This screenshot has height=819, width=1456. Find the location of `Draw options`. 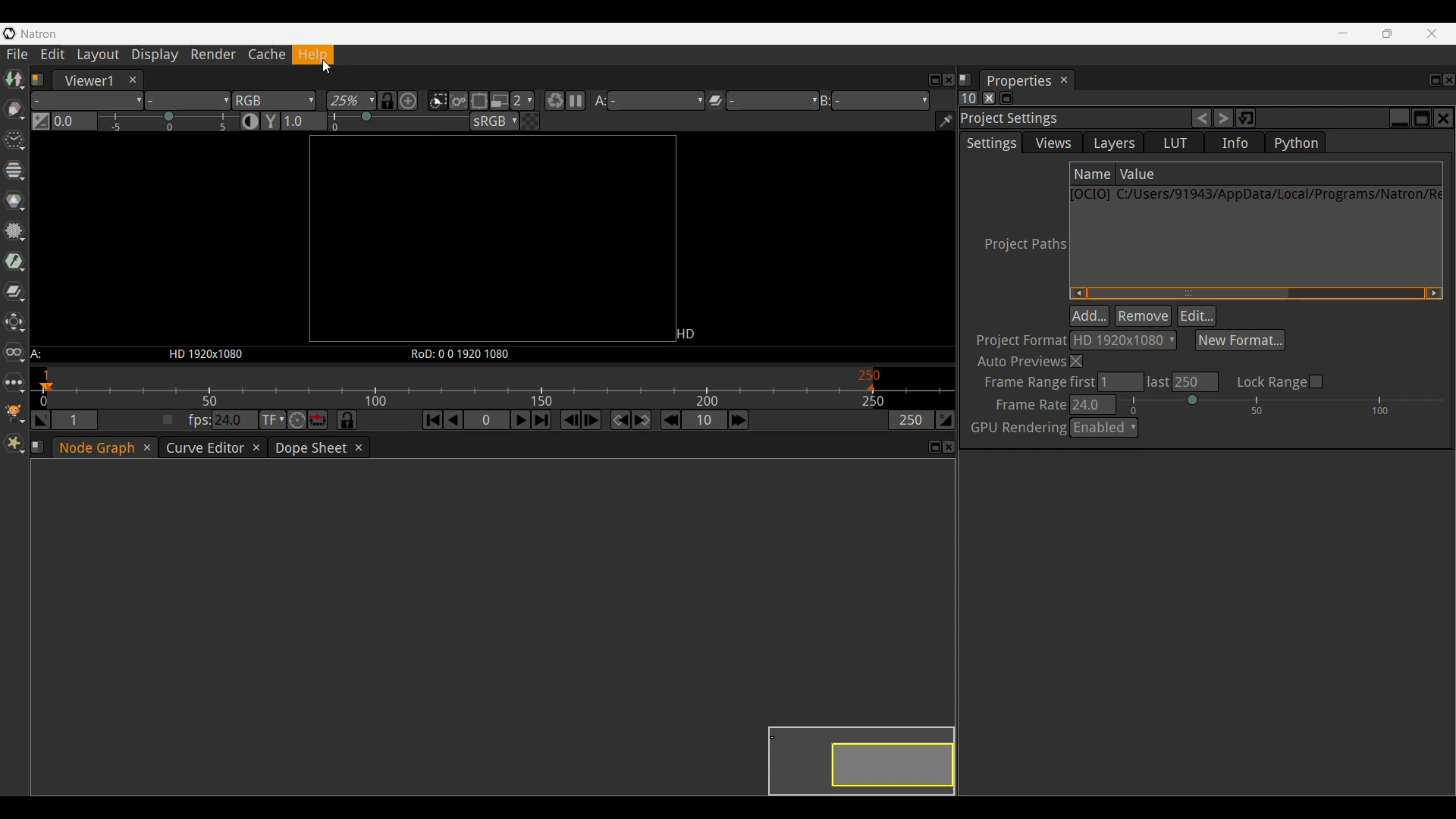

Draw options is located at coordinates (14, 109).